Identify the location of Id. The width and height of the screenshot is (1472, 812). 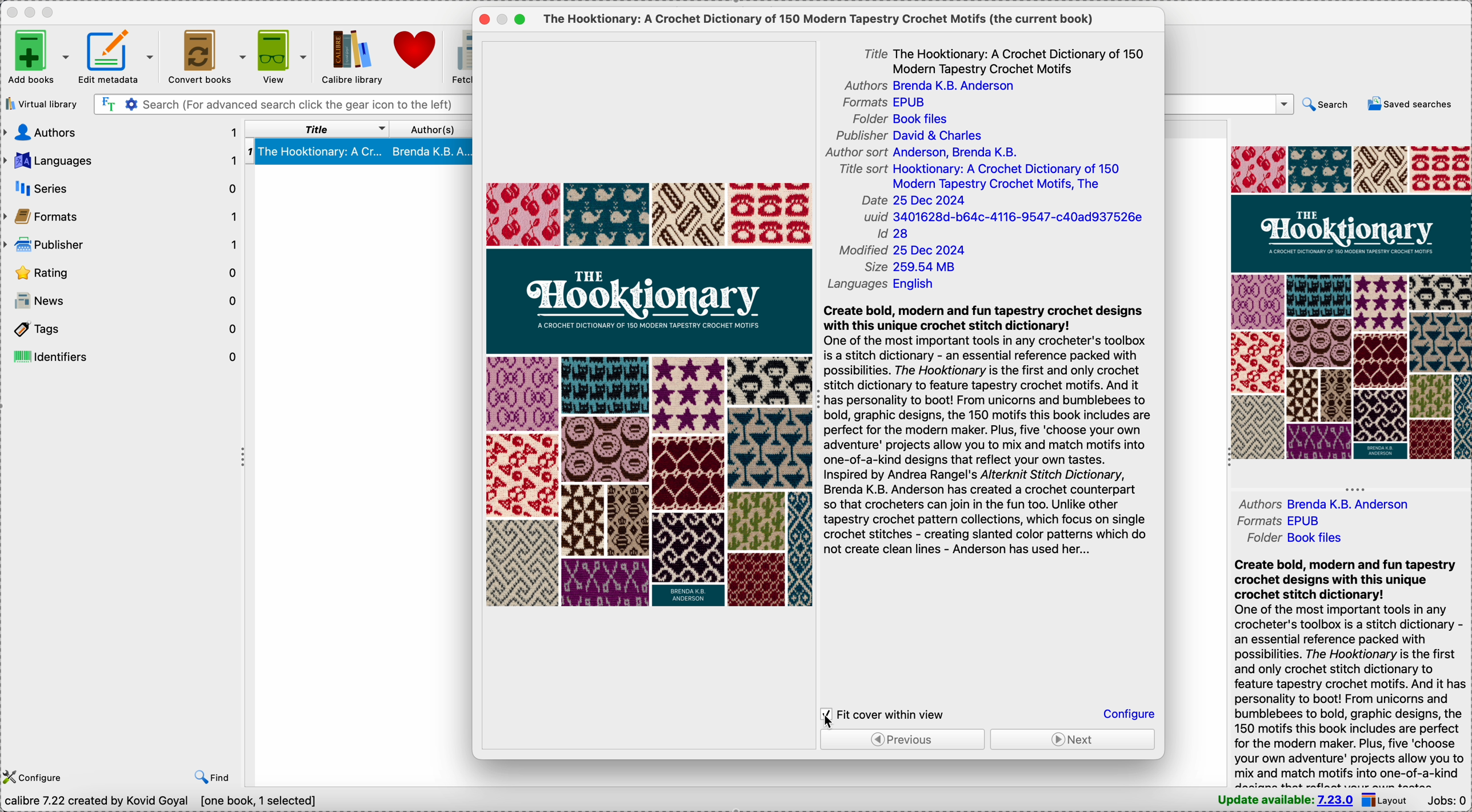
(895, 231).